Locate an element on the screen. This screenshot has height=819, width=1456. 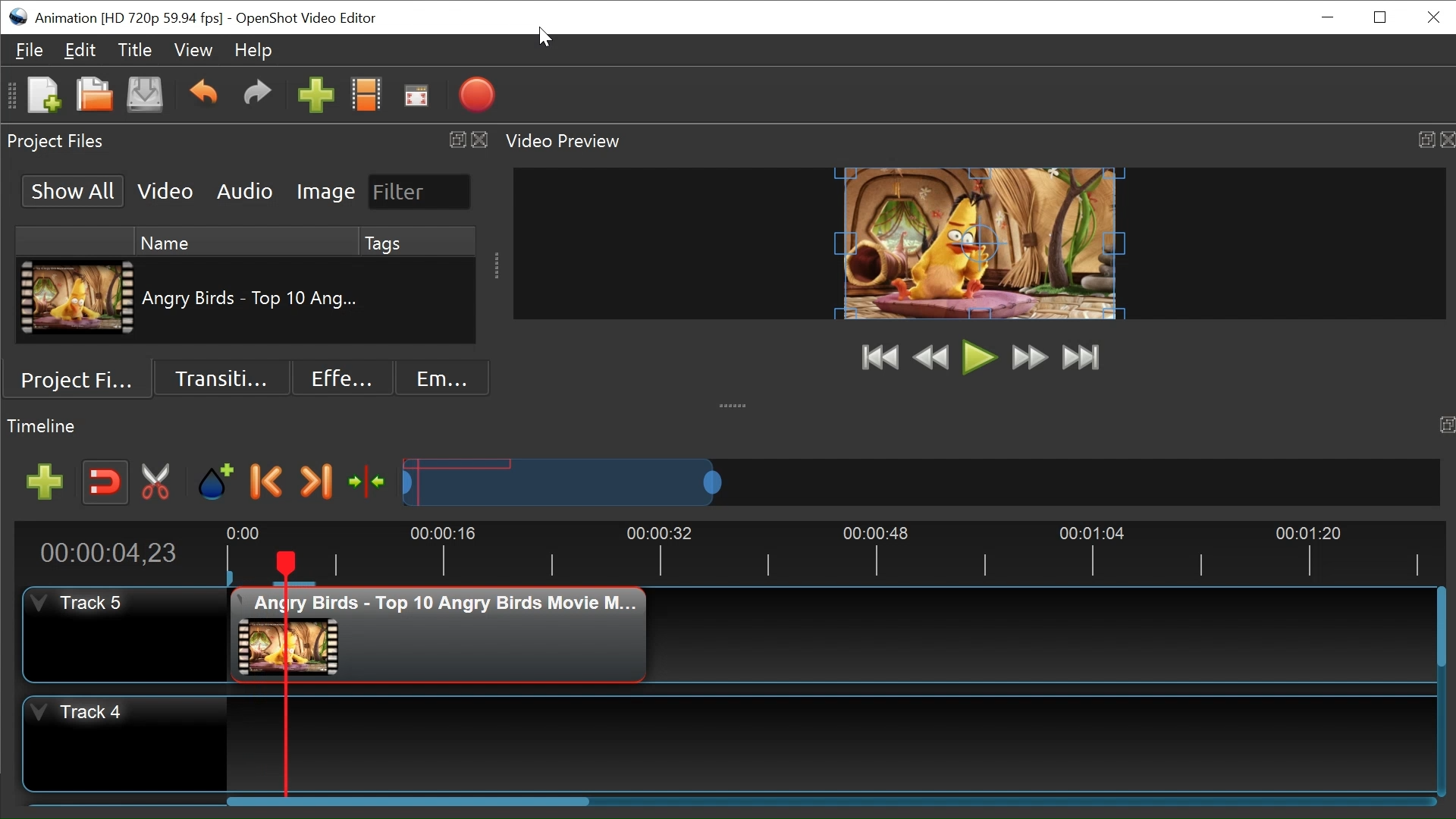
Add Marker is located at coordinates (218, 483).